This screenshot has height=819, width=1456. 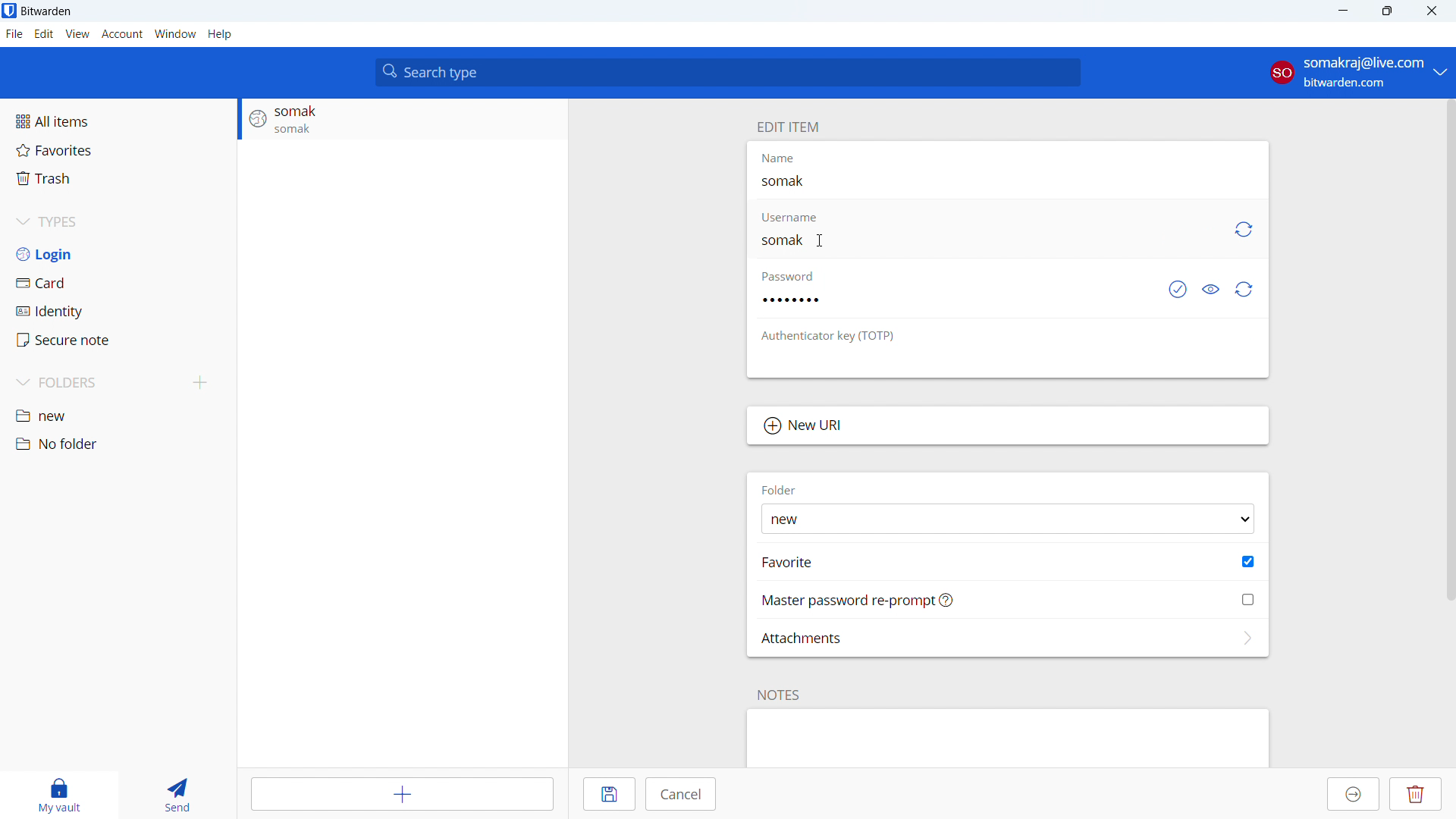 What do you see at coordinates (1007, 519) in the screenshot?
I see `select folder` at bounding box center [1007, 519].